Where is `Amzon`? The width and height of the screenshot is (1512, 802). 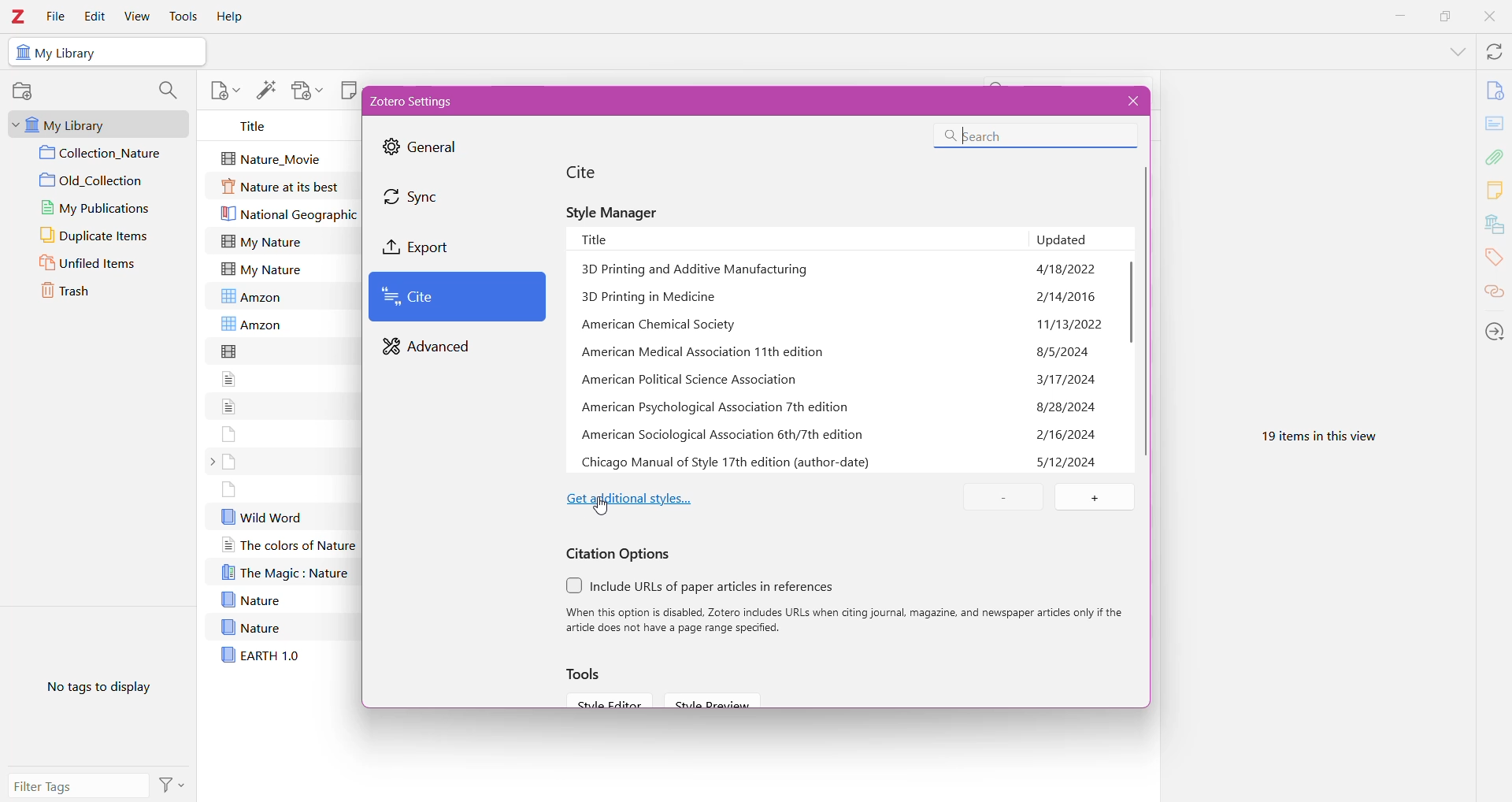 Amzon is located at coordinates (258, 295).